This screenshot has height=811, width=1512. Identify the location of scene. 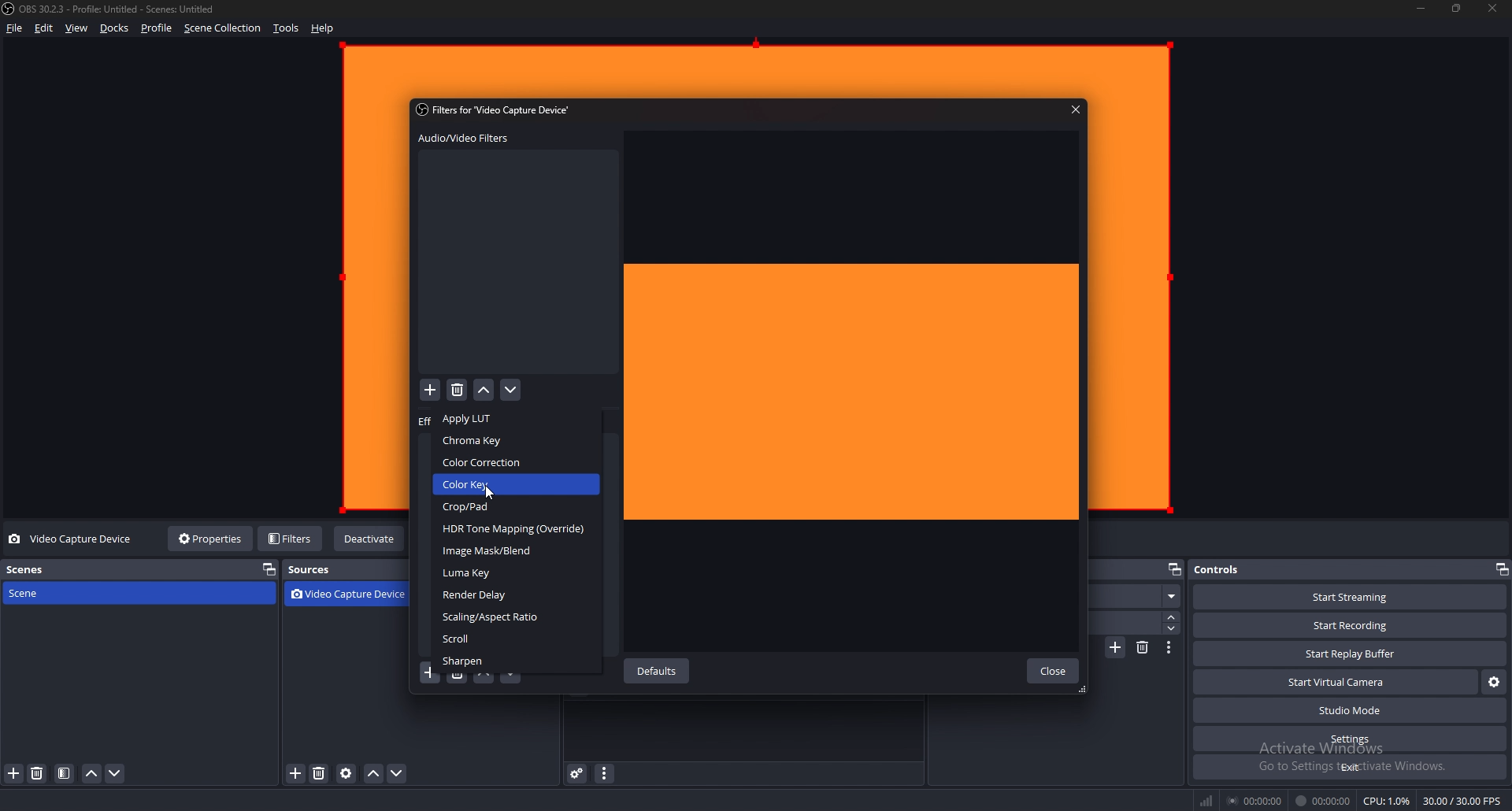
(73, 593).